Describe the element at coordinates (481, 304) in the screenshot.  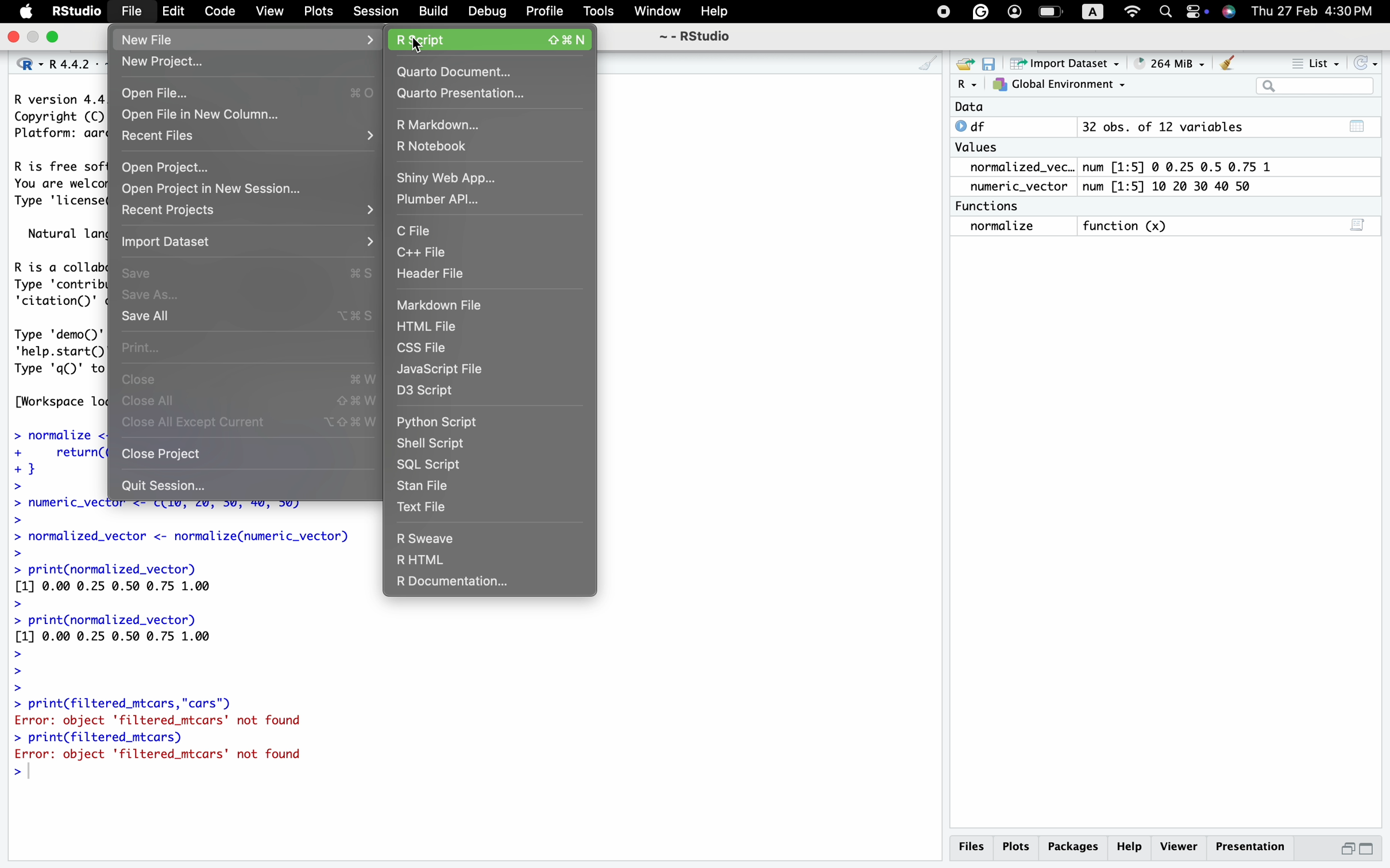
I see `markdown file` at that location.